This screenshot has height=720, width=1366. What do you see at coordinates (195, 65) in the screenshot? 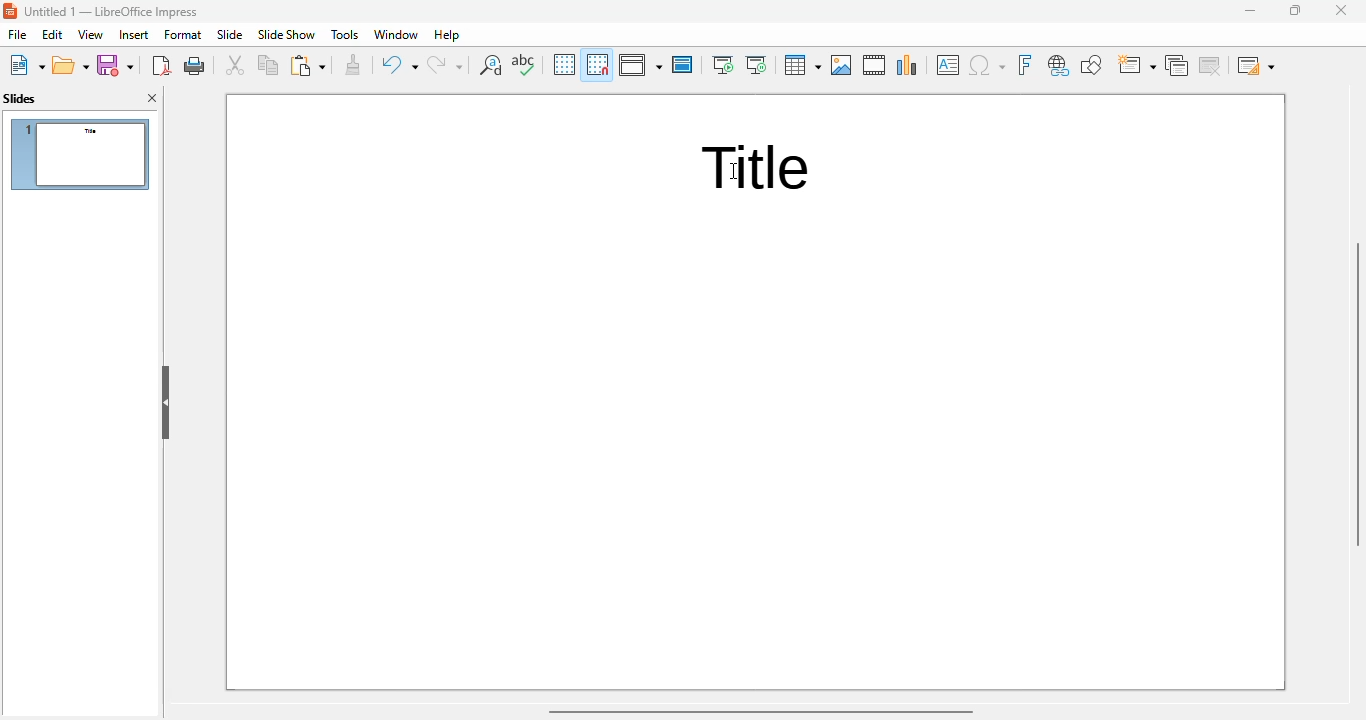
I see `print` at bounding box center [195, 65].